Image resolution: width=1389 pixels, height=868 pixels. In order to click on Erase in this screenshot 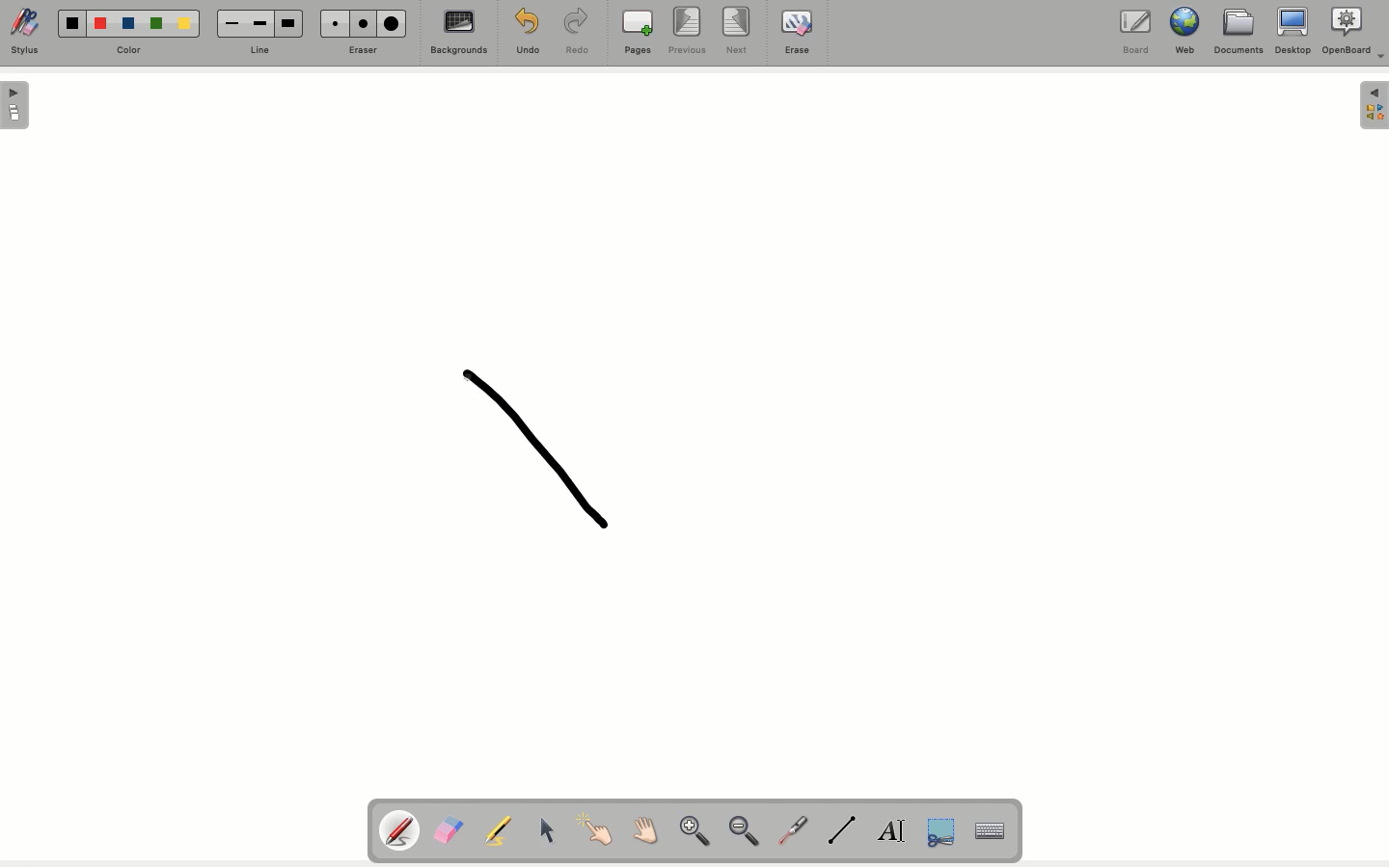, I will do `click(362, 51)`.